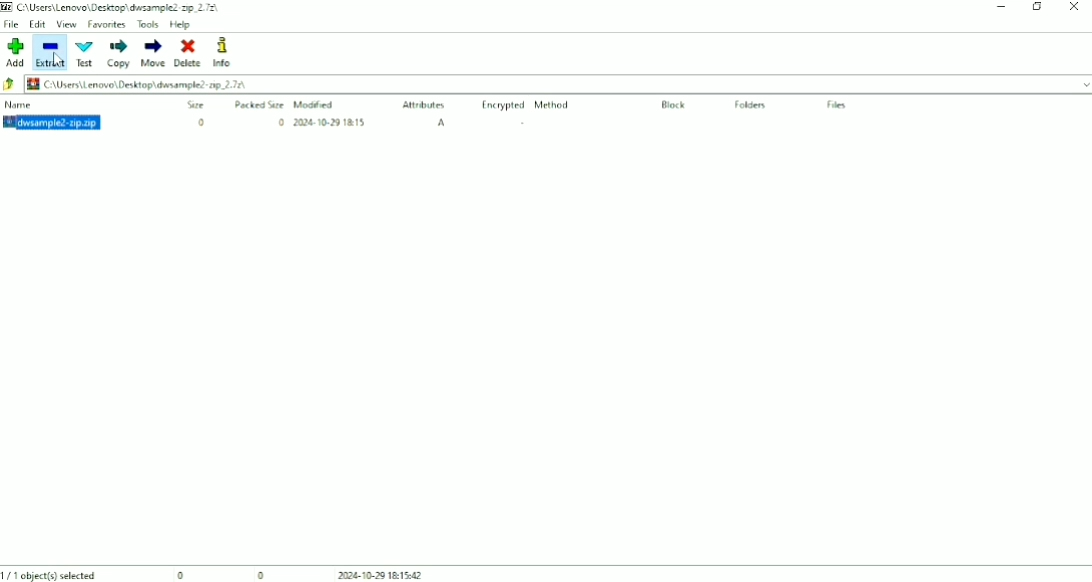 Image resolution: width=1092 pixels, height=582 pixels. Describe the element at coordinates (330, 122) in the screenshot. I see `2024-10-29 18:15` at that location.